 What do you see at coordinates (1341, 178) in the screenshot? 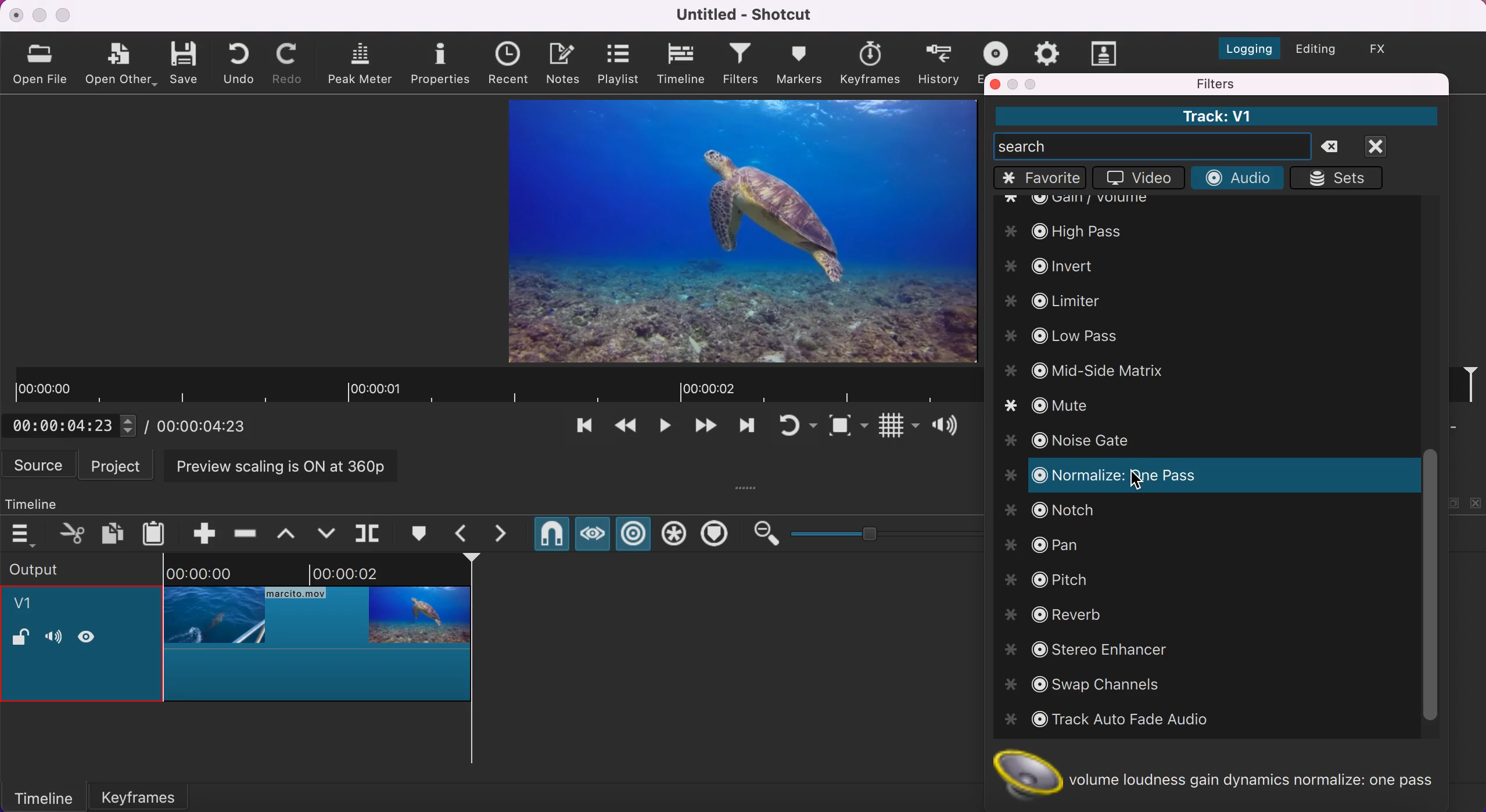
I see `sets` at bounding box center [1341, 178].